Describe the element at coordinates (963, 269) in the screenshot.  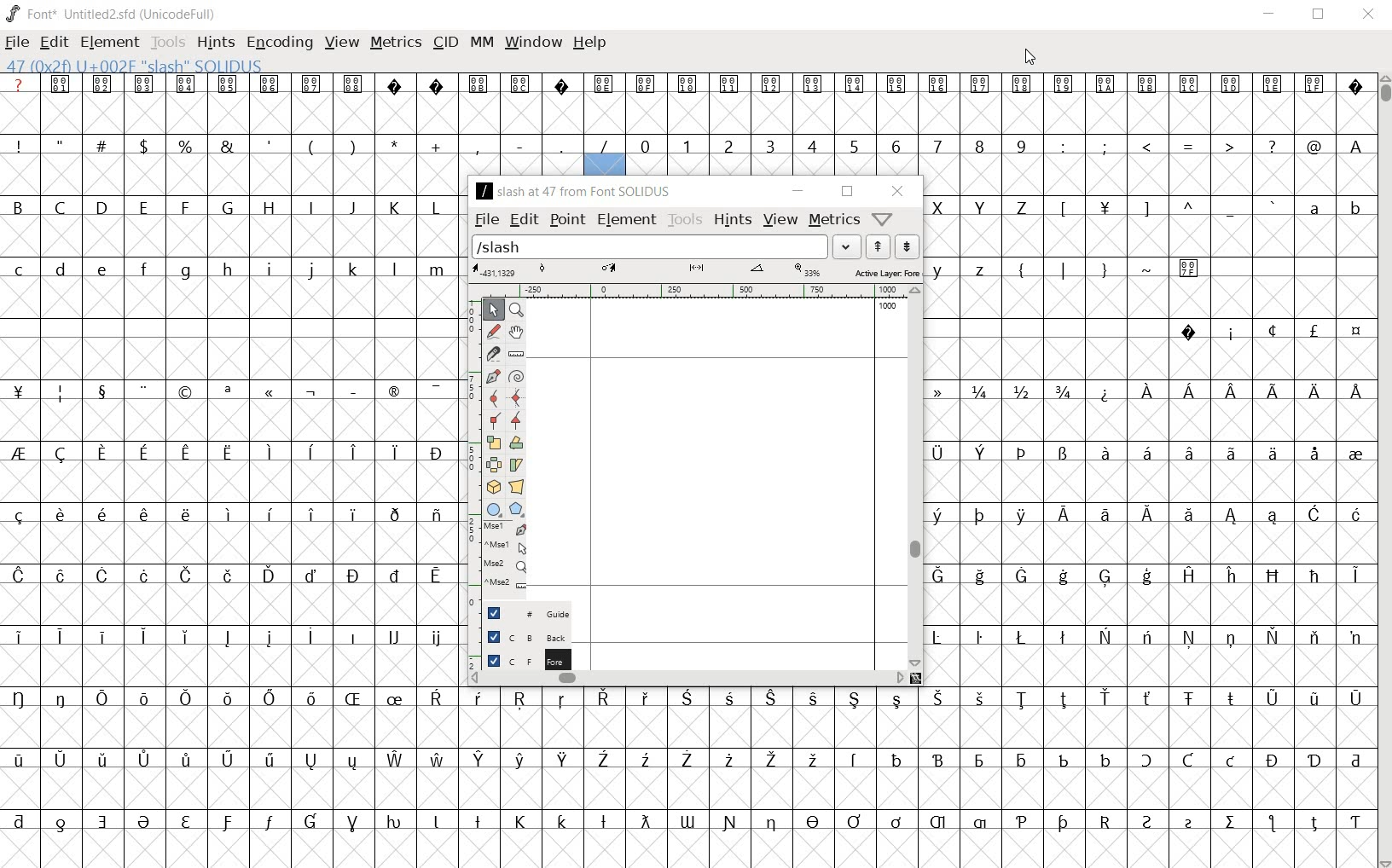
I see `y z` at that location.